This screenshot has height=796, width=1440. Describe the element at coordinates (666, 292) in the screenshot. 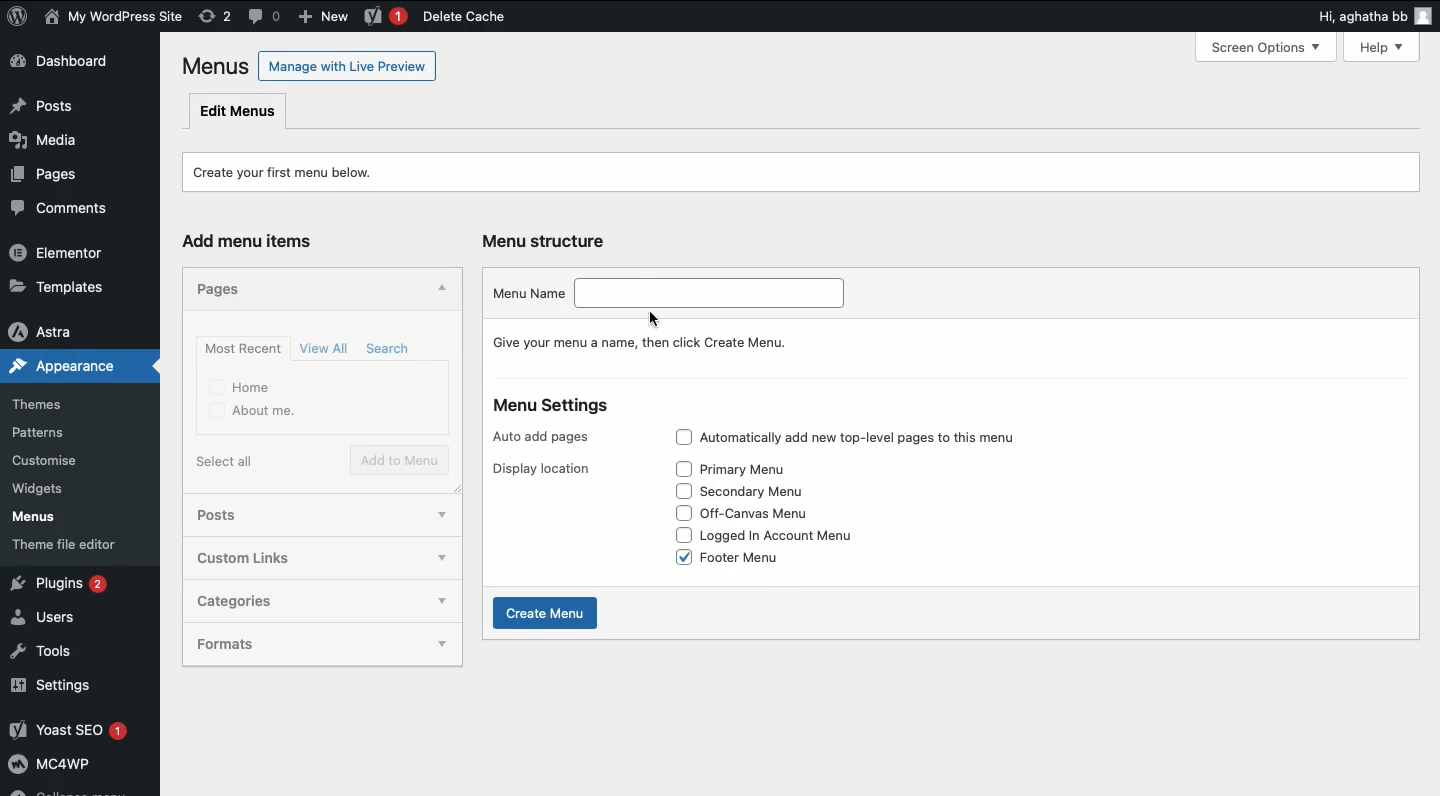

I see `Menu name` at that location.